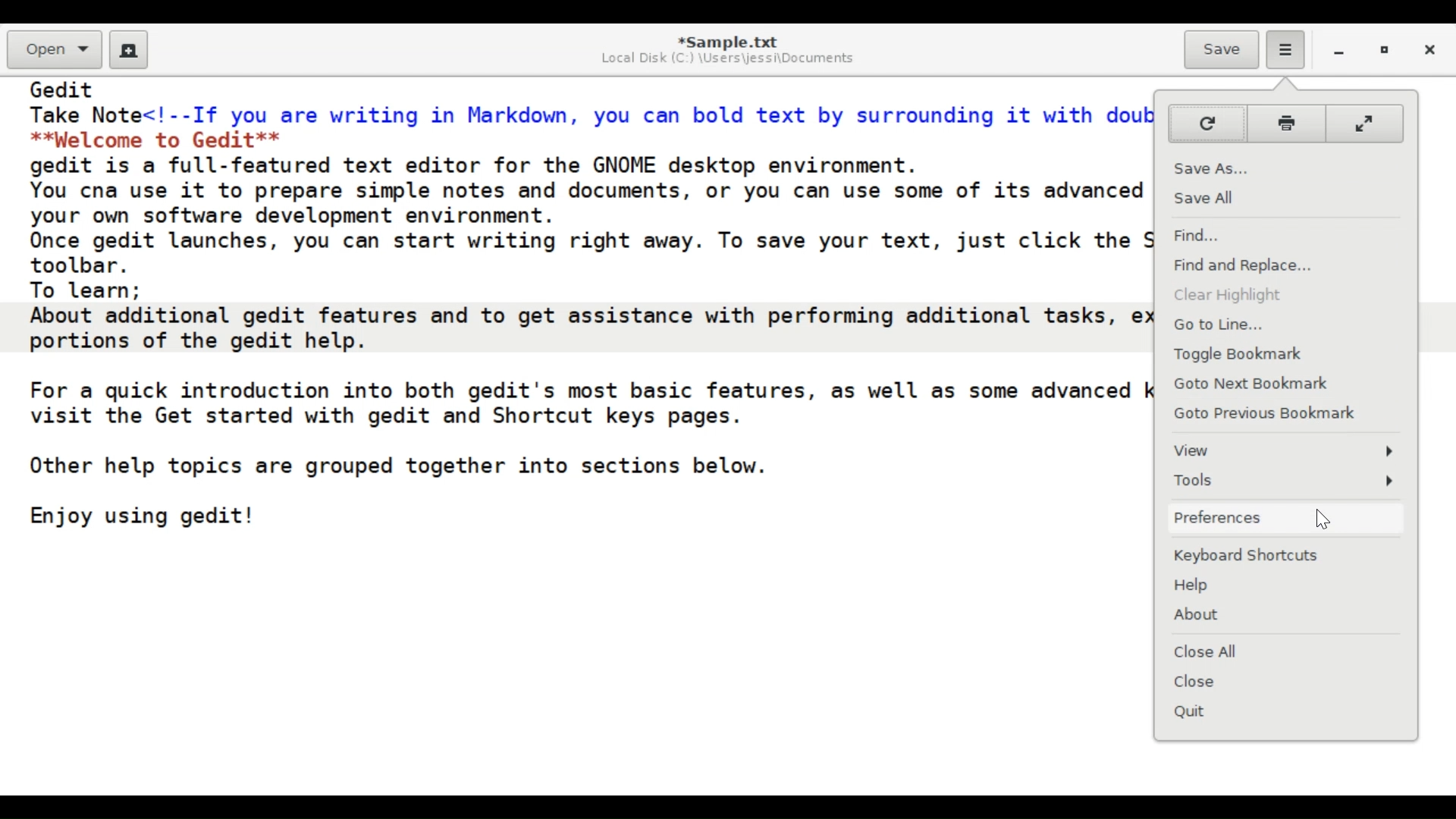 The image size is (1456, 819). What do you see at coordinates (1284, 234) in the screenshot?
I see `Find` at bounding box center [1284, 234].